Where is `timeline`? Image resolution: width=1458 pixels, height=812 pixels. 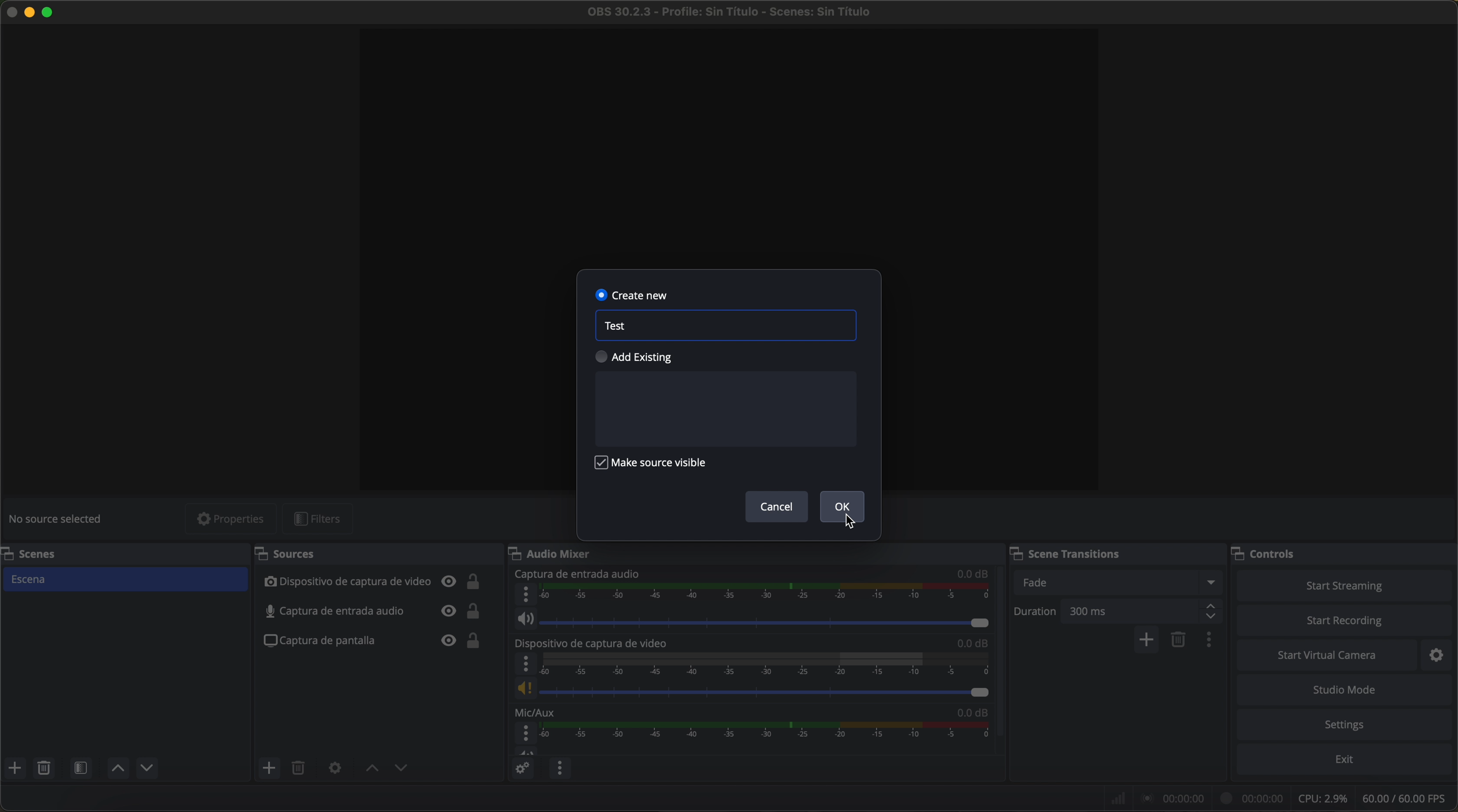
timeline is located at coordinates (769, 731).